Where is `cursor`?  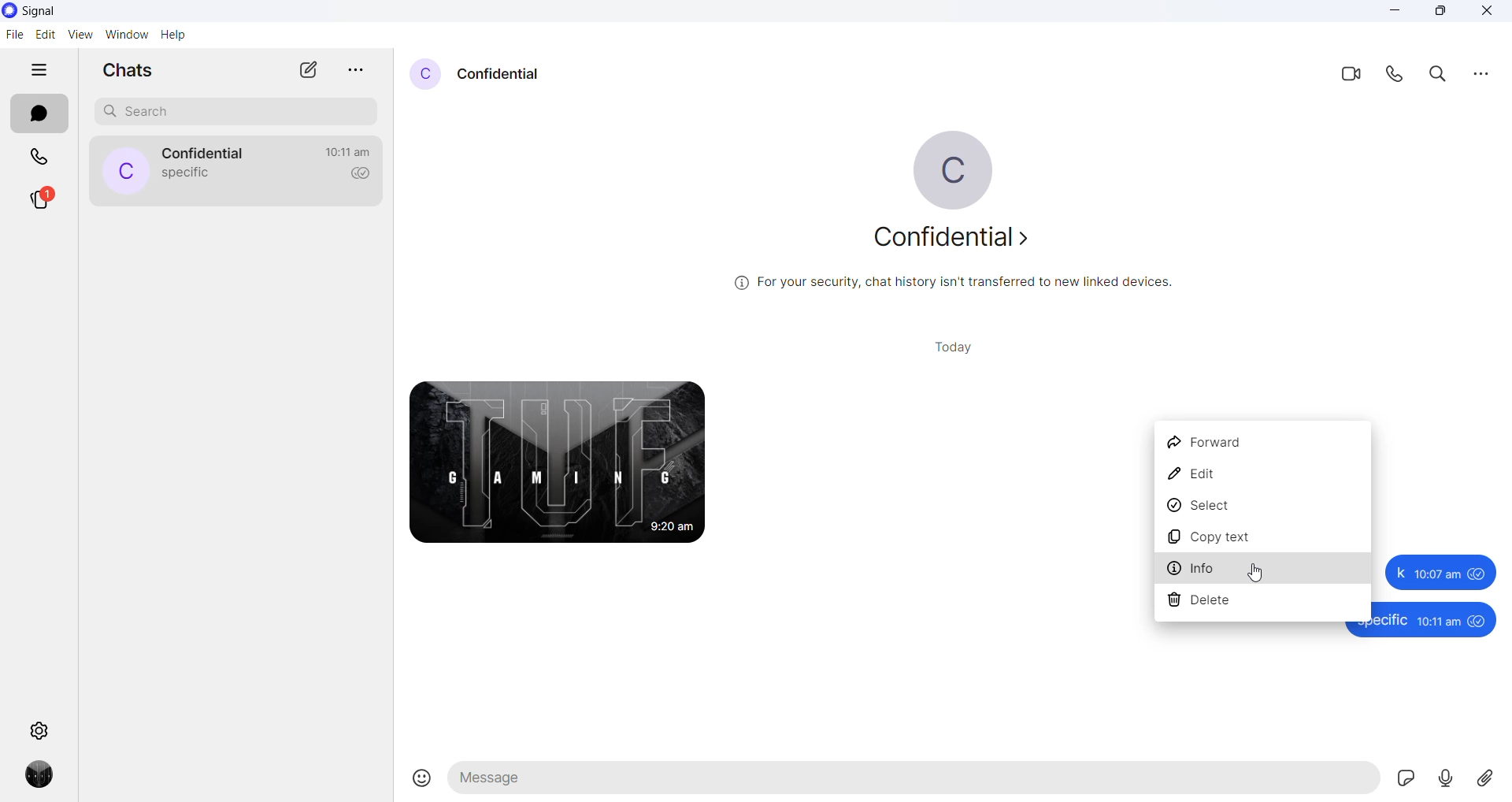
cursor is located at coordinates (1254, 570).